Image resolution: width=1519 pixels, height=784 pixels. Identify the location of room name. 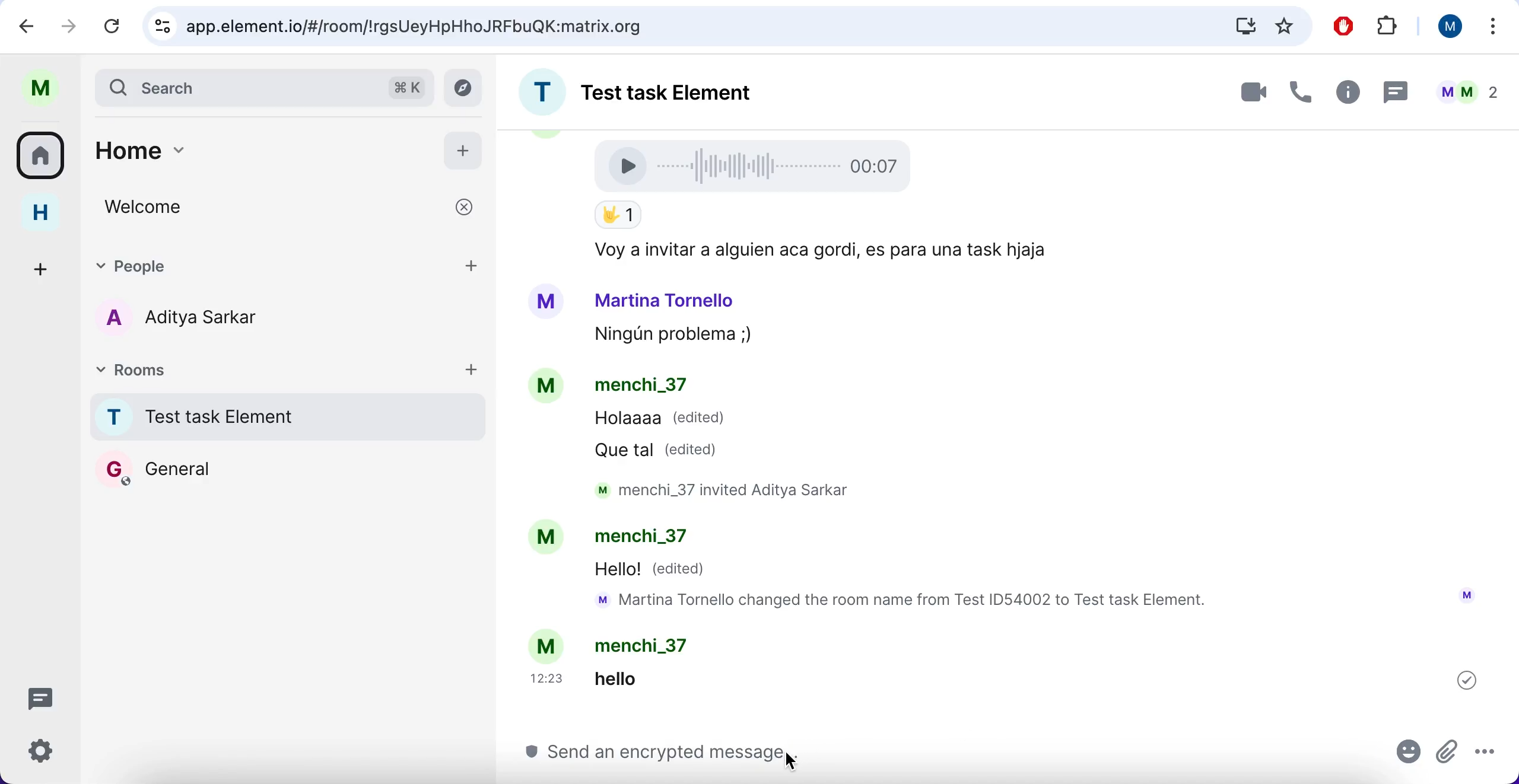
(284, 416).